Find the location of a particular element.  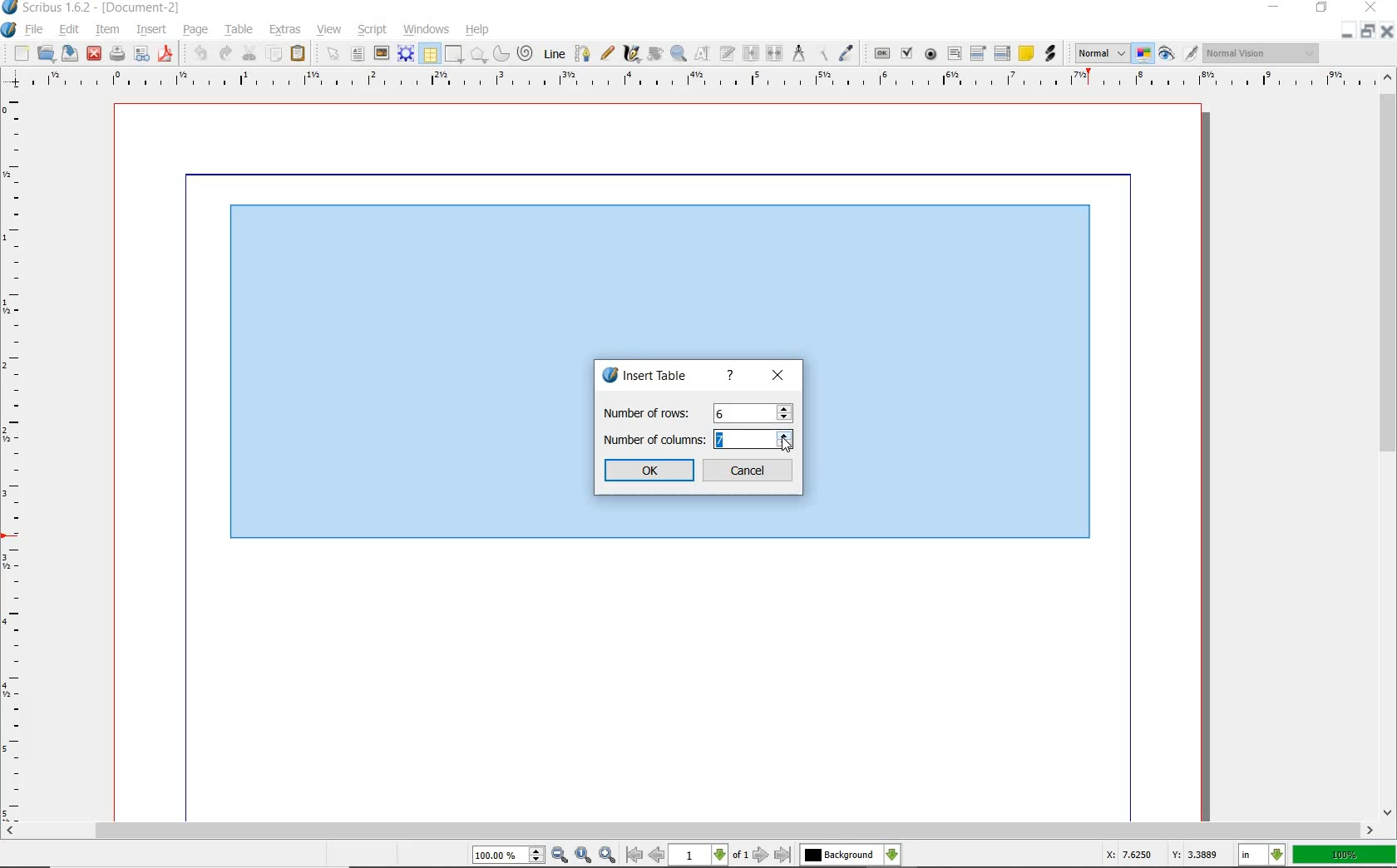

go to first page is located at coordinates (634, 856).